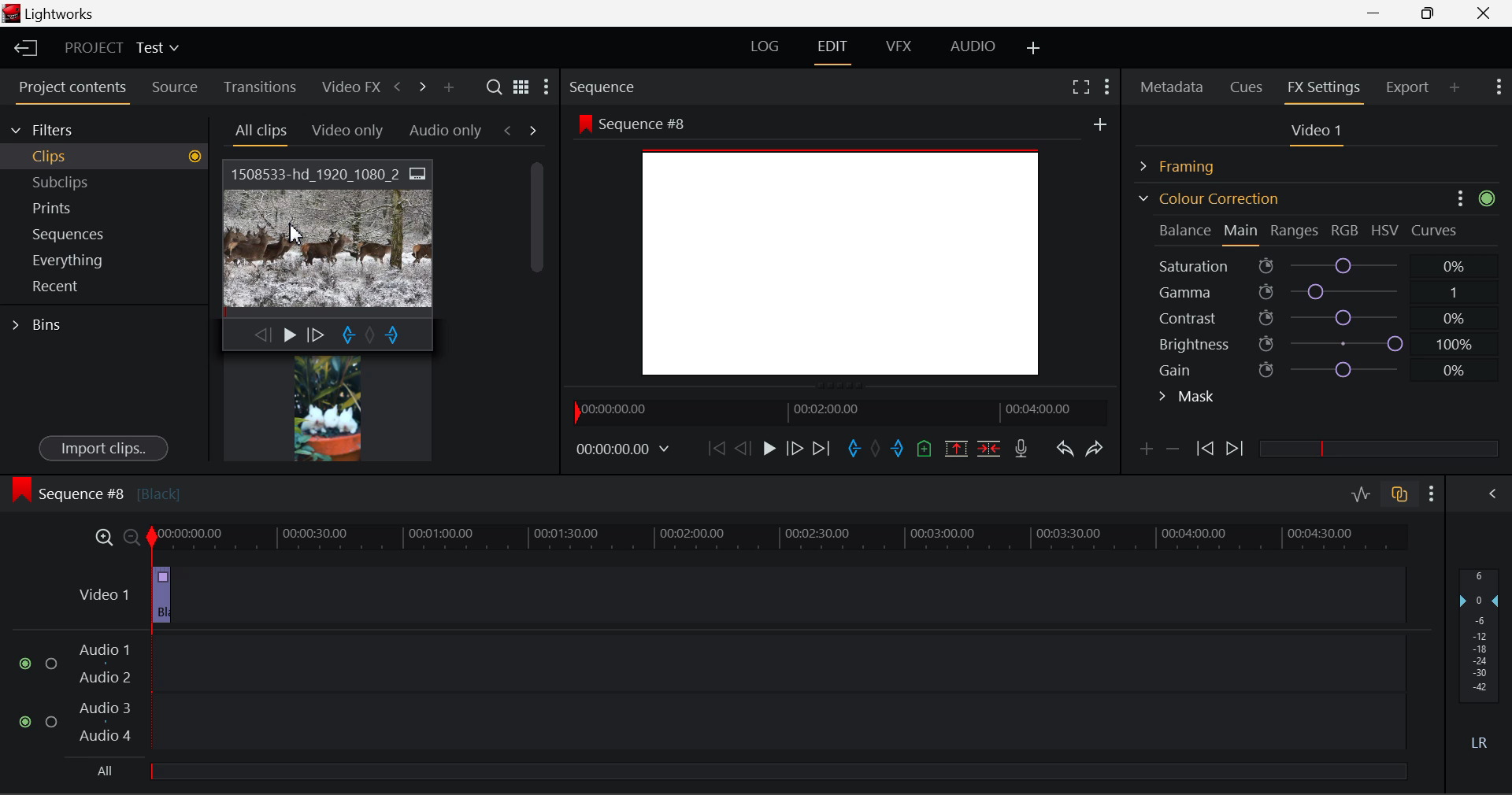 The width and height of the screenshot is (1512, 795). What do you see at coordinates (261, 131) in the screenshot?
I see `Today Tab Open` at bounding box center [261, 131].